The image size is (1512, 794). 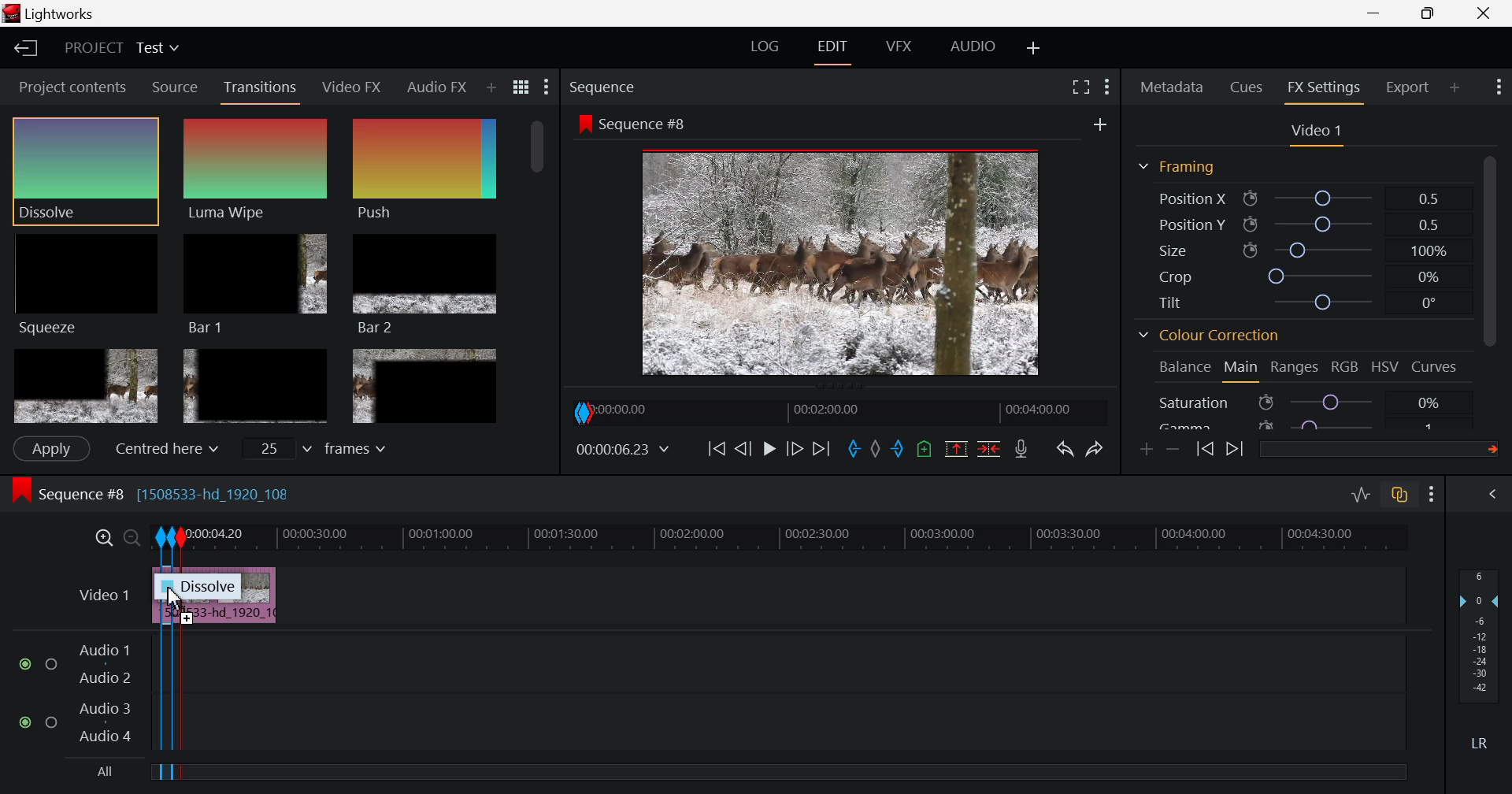 I want to click on Timeline Zoom In, so click(x=105, y=538).